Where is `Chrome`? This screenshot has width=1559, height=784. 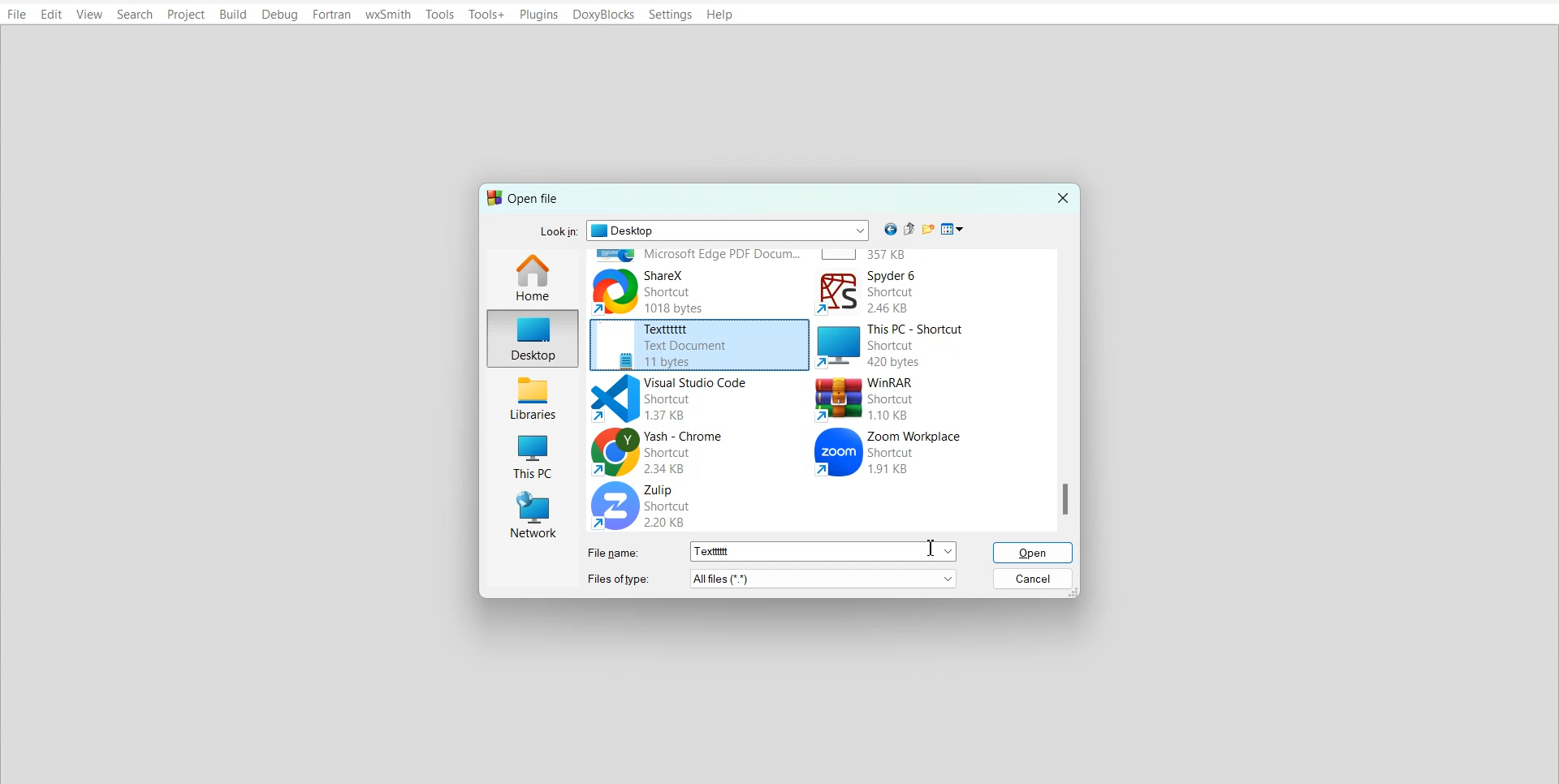 Chrome is located at coordinates (681, 452).